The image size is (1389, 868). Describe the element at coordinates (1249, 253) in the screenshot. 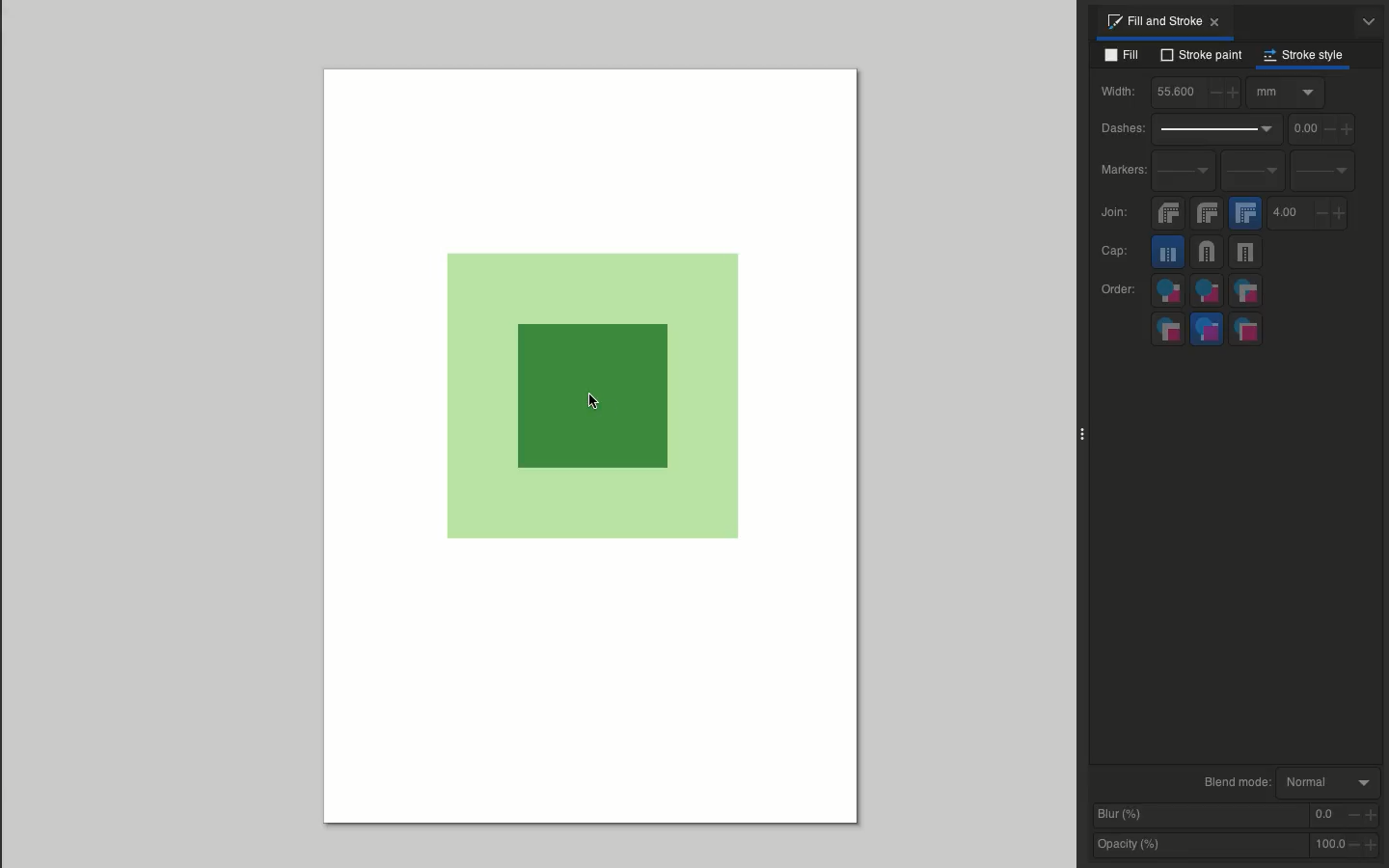

I see `Square cap` at that location.